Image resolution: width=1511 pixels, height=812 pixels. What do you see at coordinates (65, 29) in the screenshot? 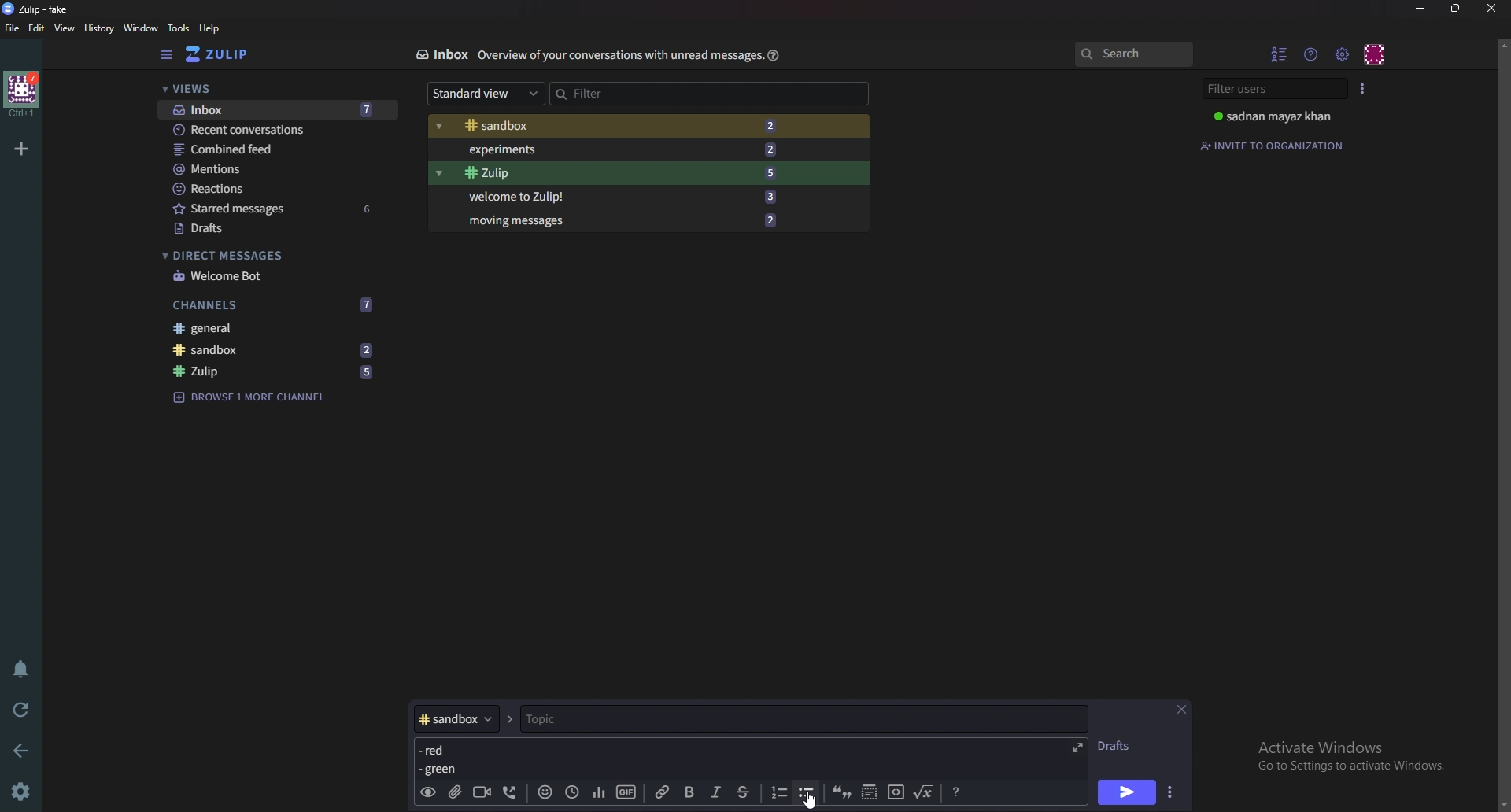
I see `View` at bounding box center [65, 29].